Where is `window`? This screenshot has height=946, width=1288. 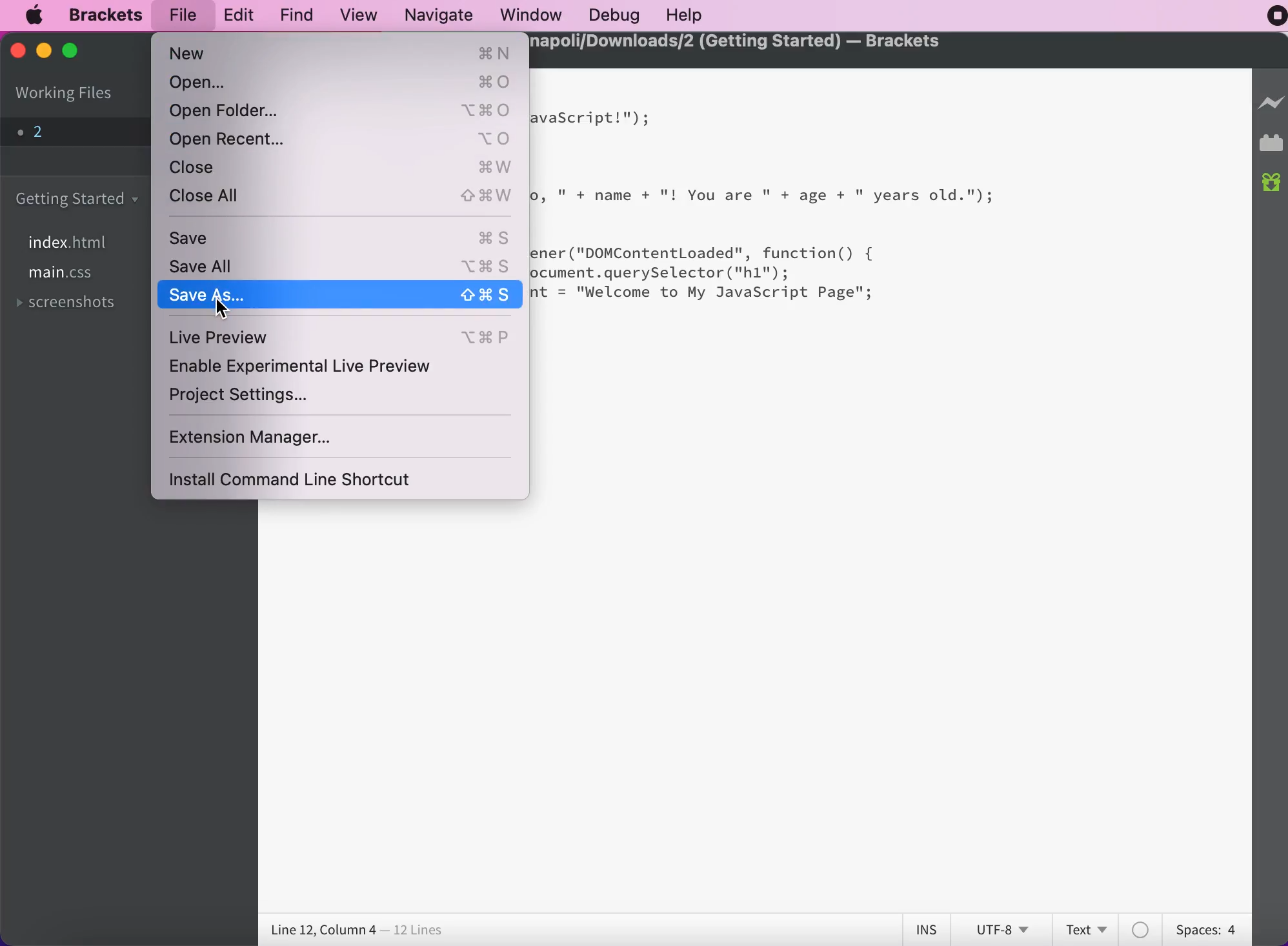 window is located at coordinates (529, 15).